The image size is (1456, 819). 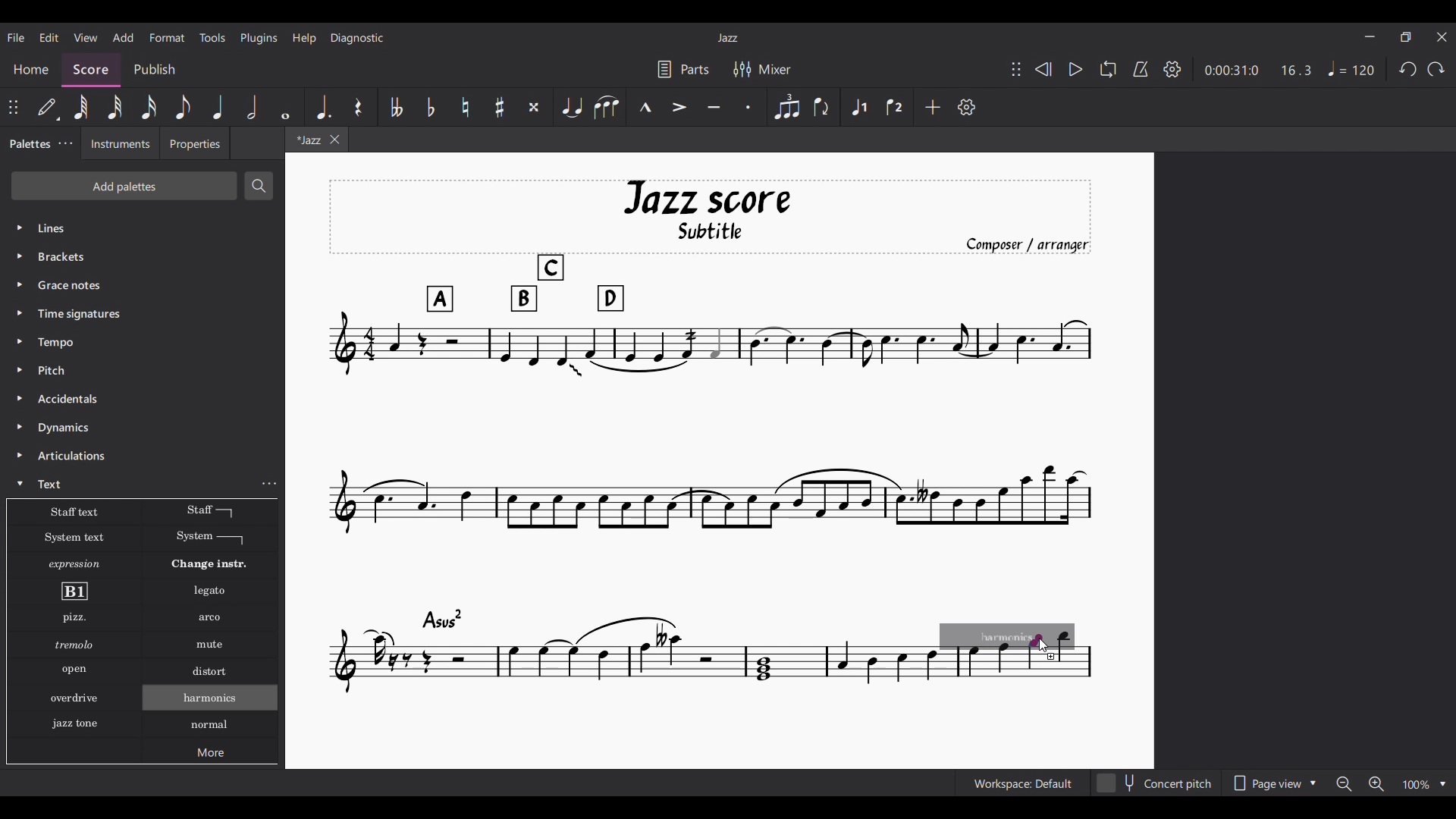 What do you see at coordinates (212, 733) in the screenshot?
I see `Harmonics` at bounding box center [212, 733].